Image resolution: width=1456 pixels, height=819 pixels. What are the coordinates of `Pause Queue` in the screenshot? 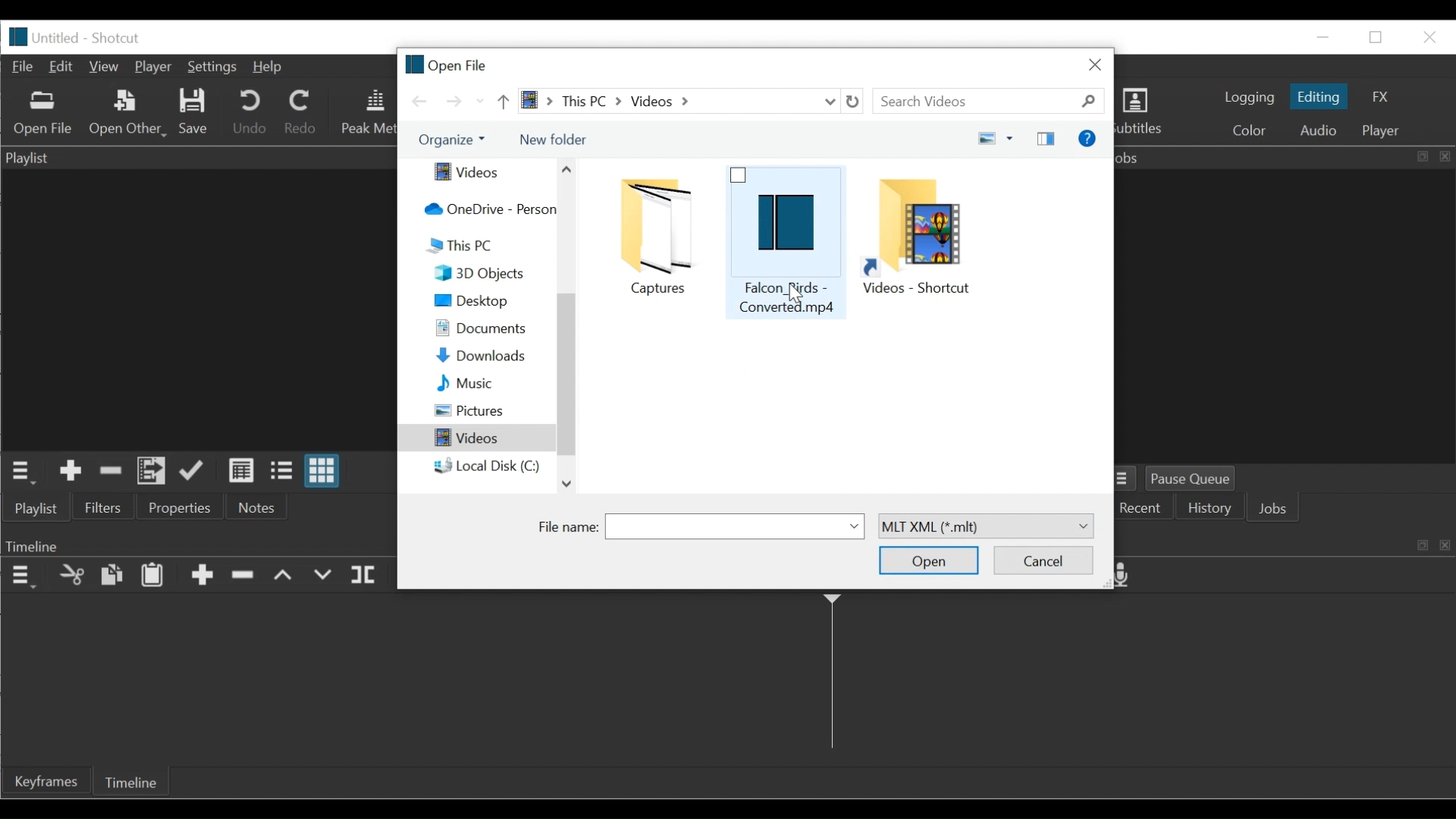 It's located at (1198, 479).